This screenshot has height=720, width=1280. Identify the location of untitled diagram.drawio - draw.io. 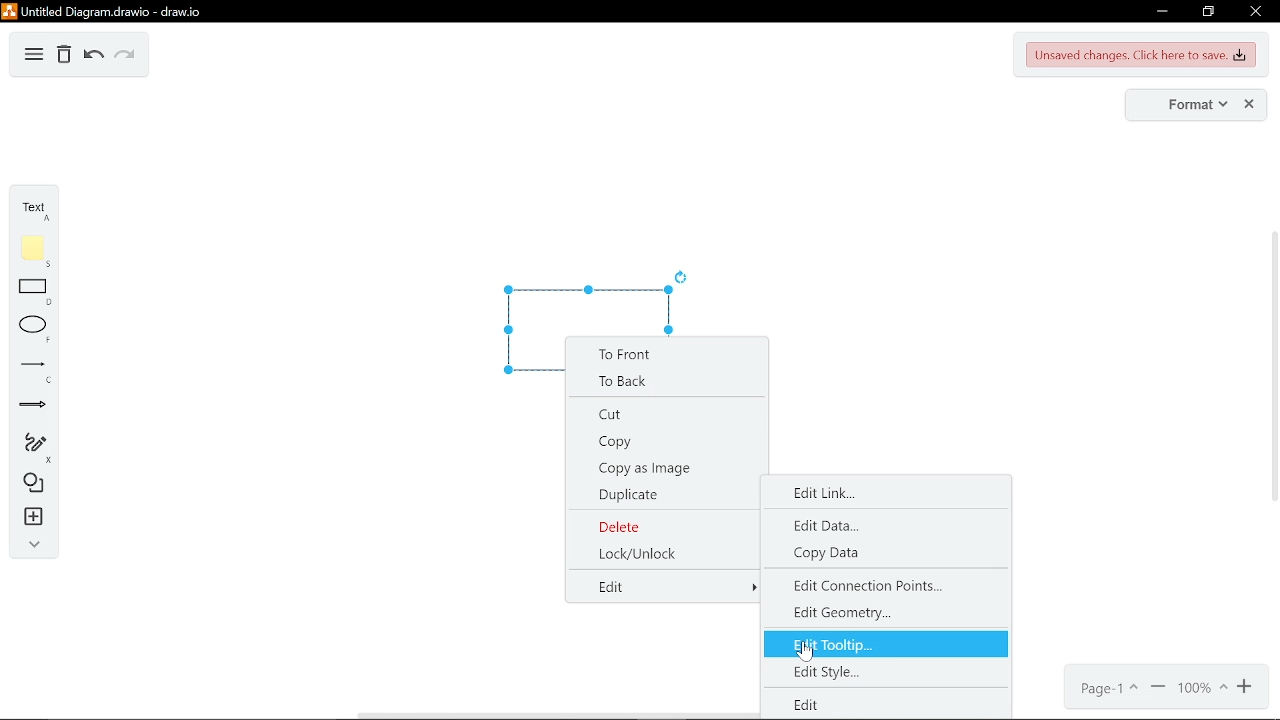
(118, 11).